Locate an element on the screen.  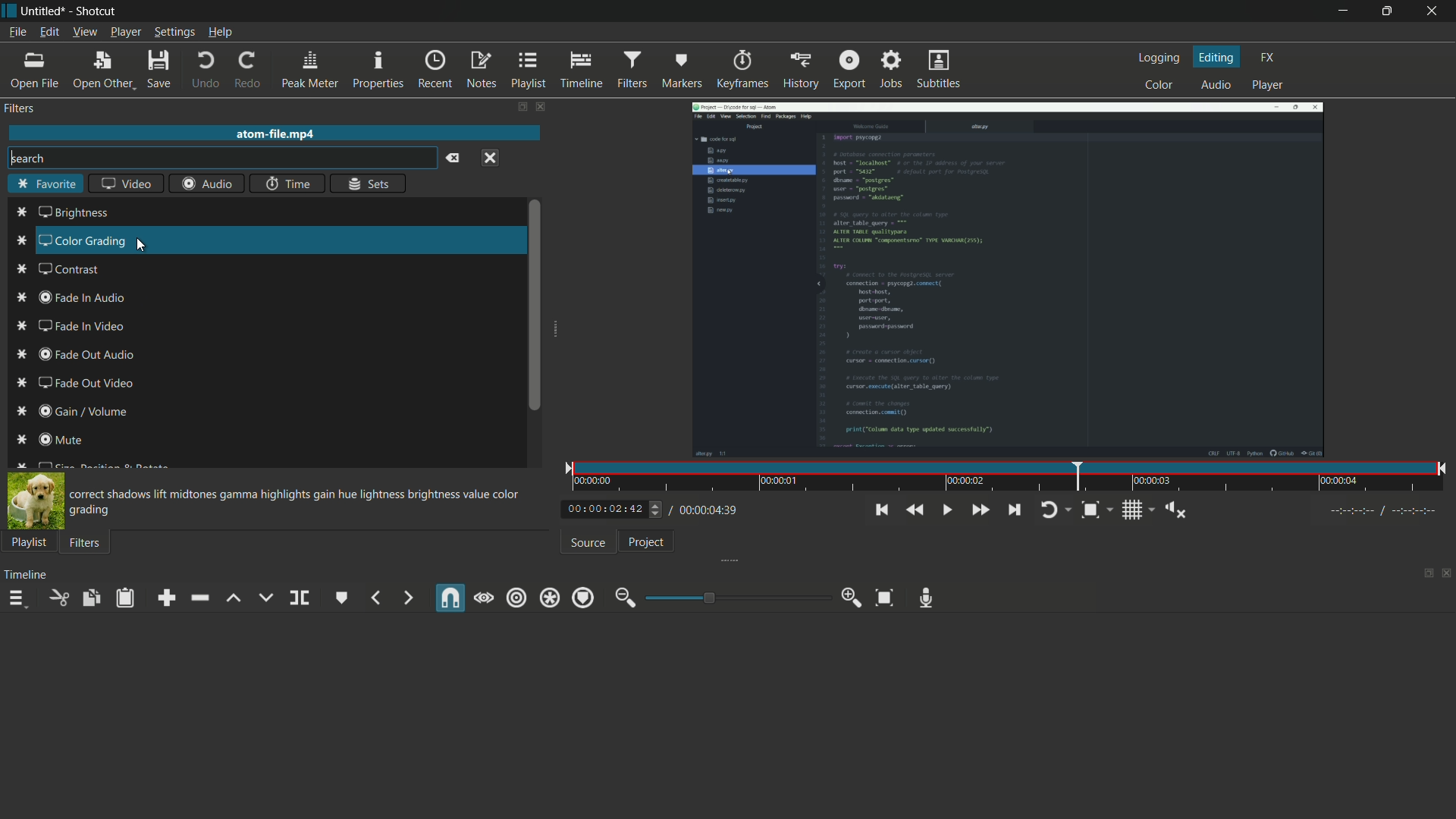
source is located at coordinates (588, 543).